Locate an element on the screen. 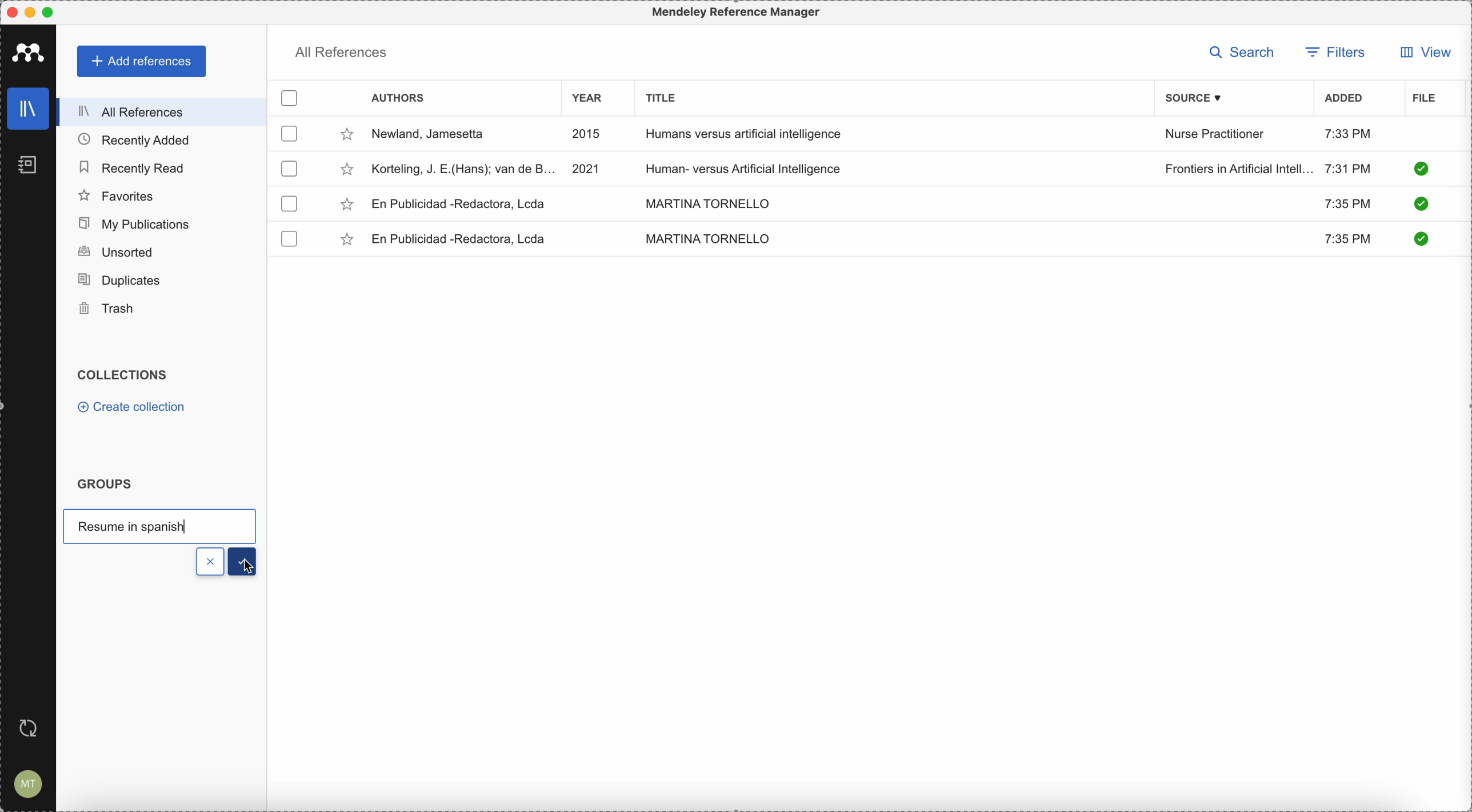 This screenshot has height=812, width=1472. checkbox is located at coordinates (291, 133).